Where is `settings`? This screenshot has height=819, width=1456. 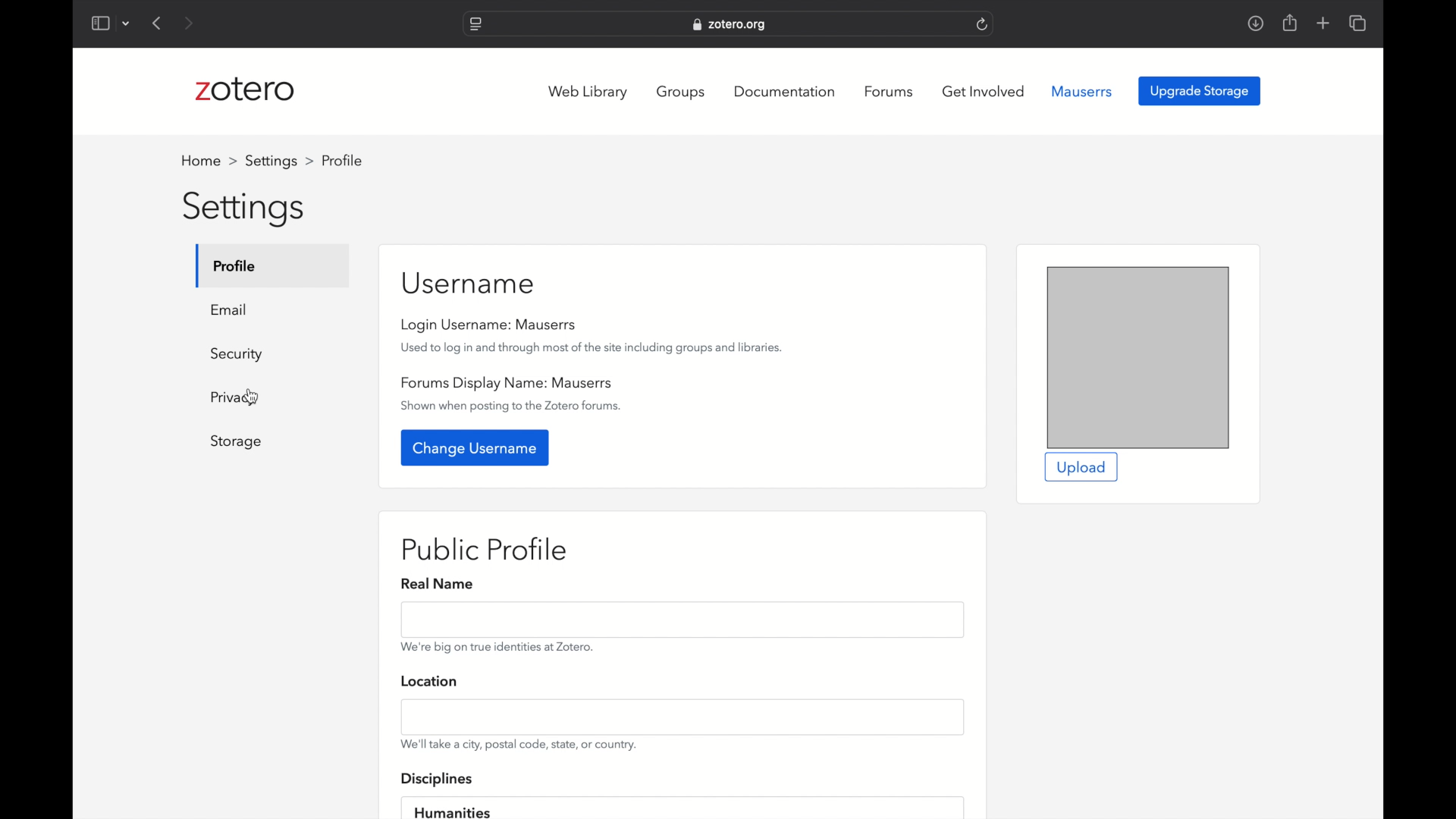
settings is located at coordinates (279, 161).